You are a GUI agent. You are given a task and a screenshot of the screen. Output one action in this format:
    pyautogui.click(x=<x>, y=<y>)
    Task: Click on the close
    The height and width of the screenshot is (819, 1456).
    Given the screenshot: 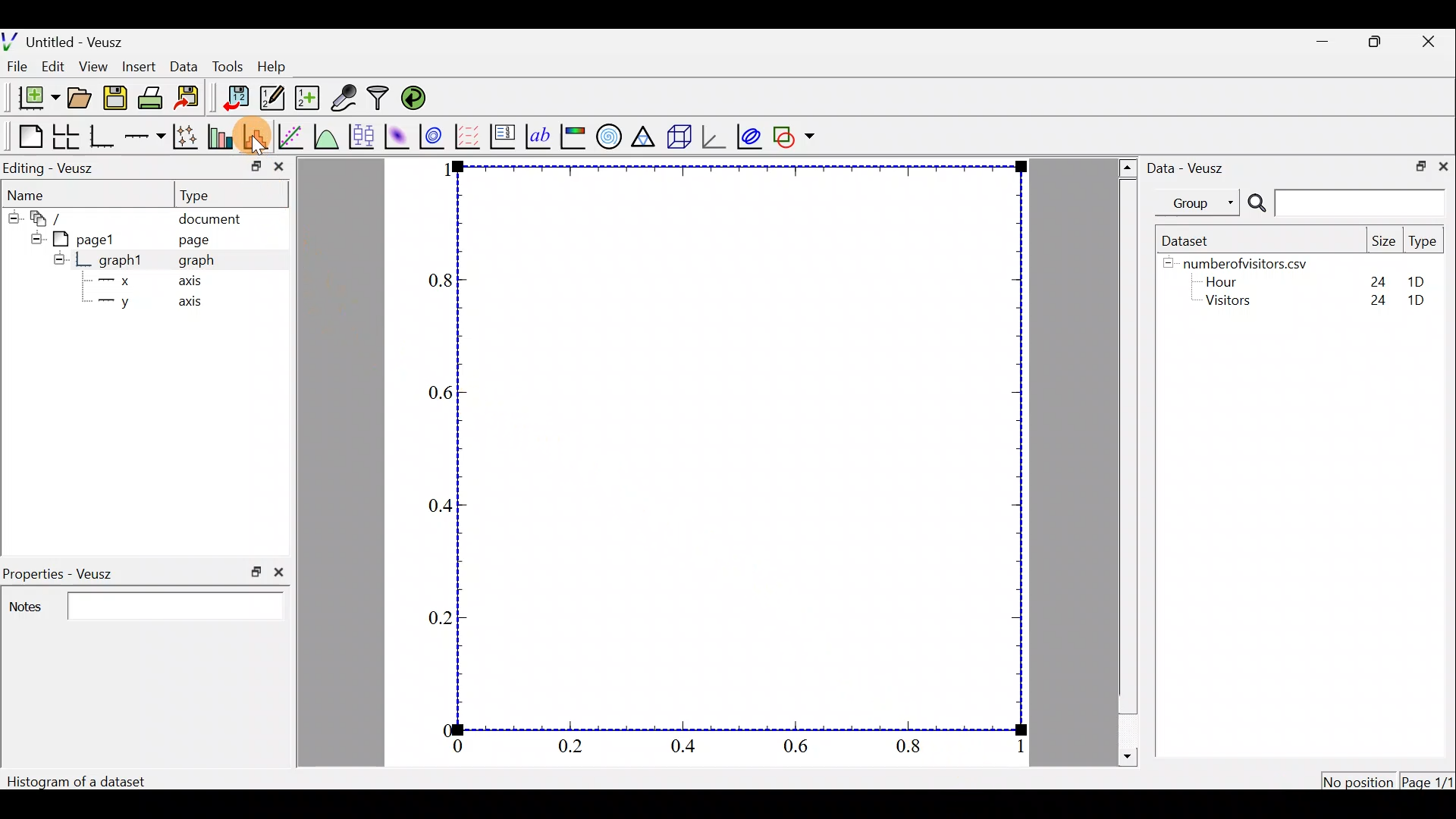 What is the action you would take?
    pyautogui.click(x=279, y=575)
    